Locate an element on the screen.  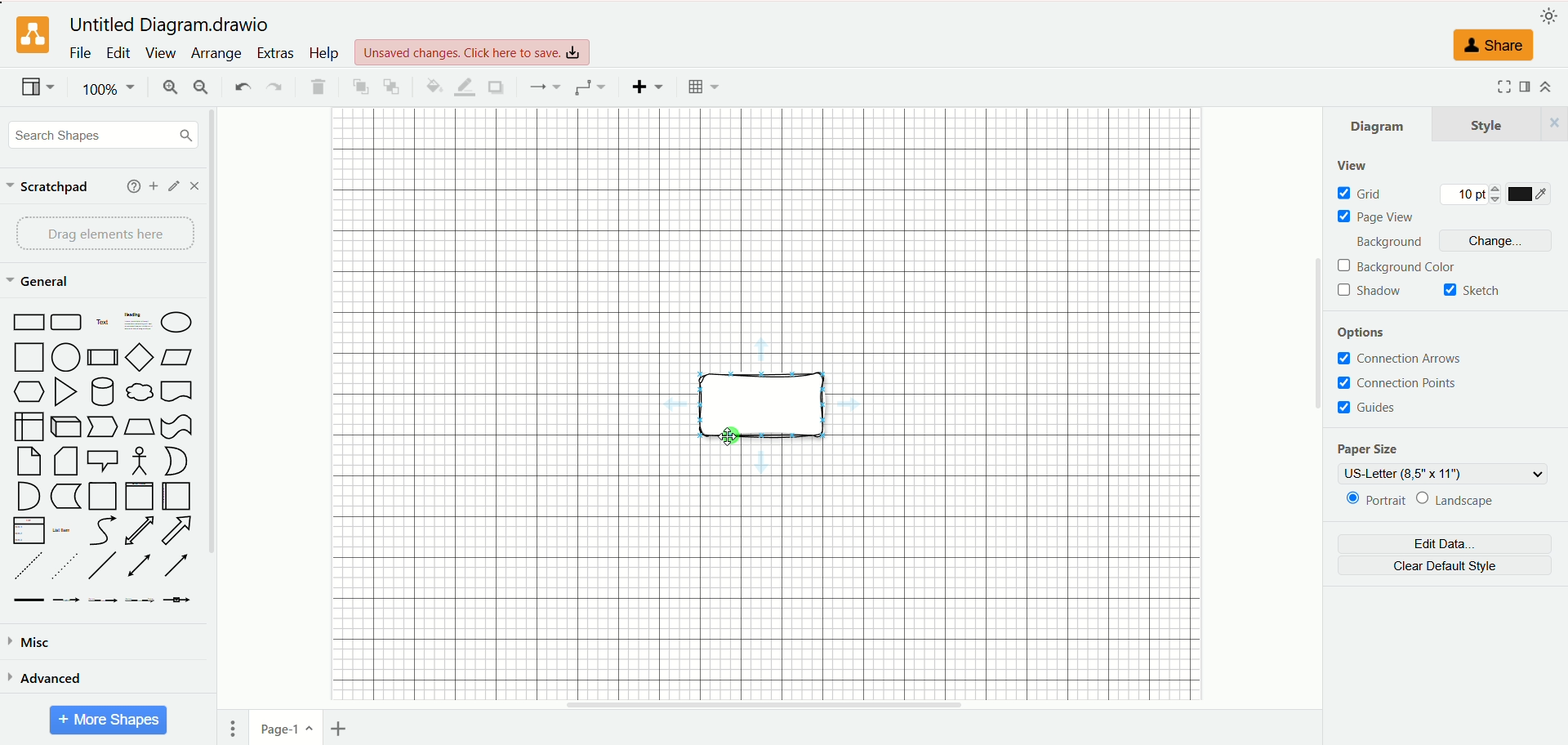
general is located at coordinates (42, 283).